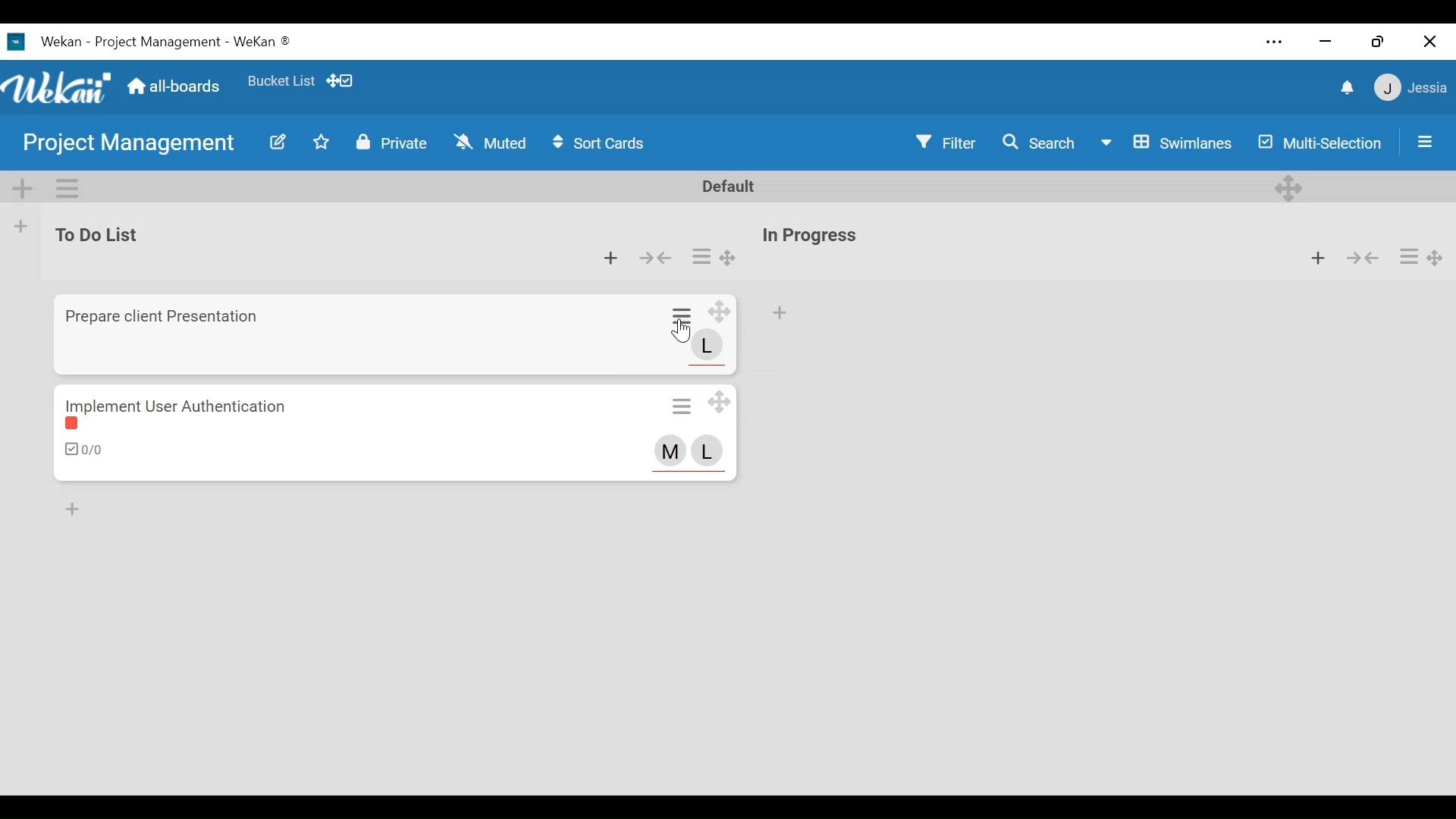 This screenshot has height=819, width=1456. What do you see at coordinates (1273, 42) in the screenshot?
I see `settings and more` at bounding box center [1273, 42].